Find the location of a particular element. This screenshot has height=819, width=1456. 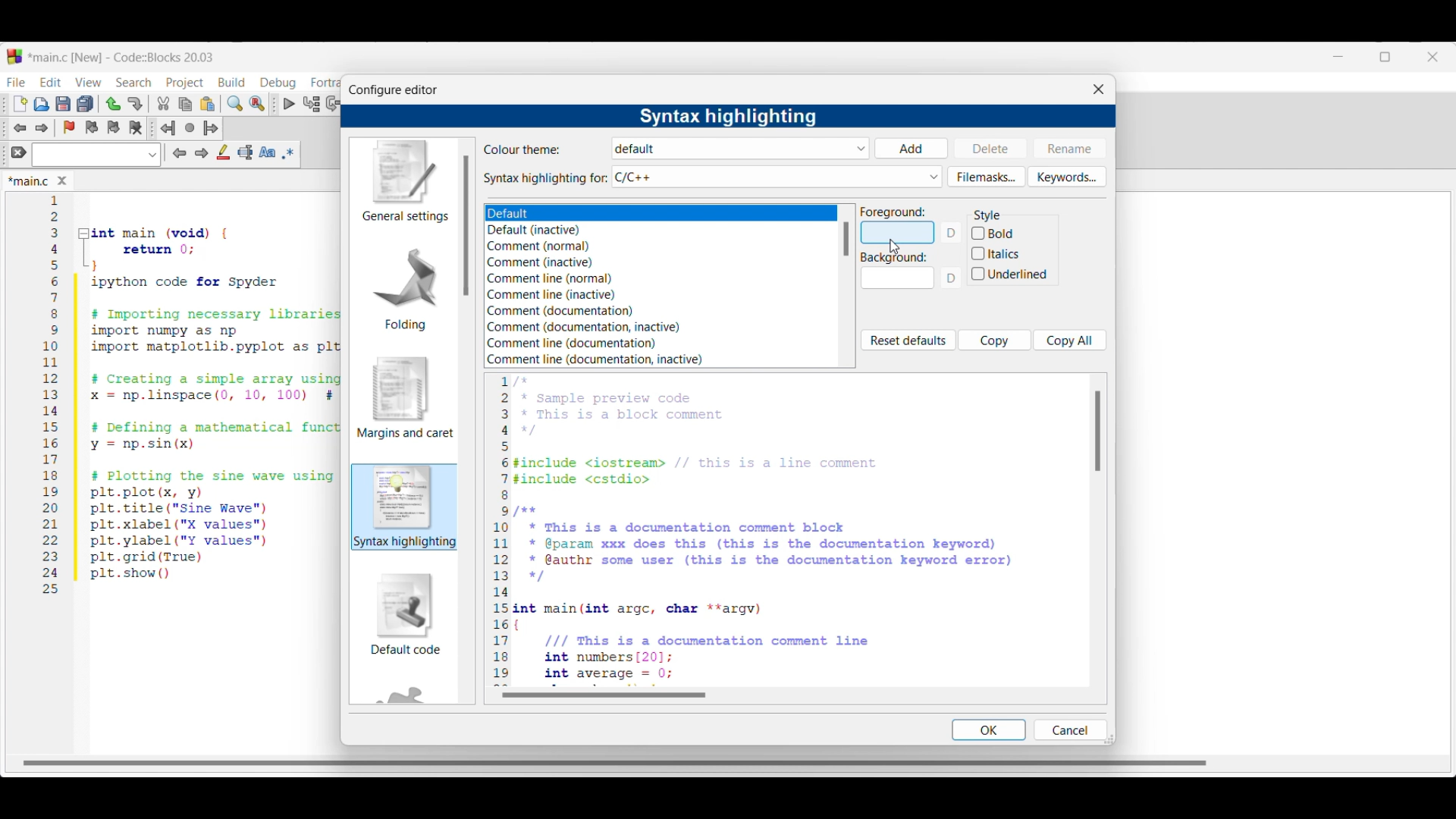

Redo is located at coordinates (135, 104).